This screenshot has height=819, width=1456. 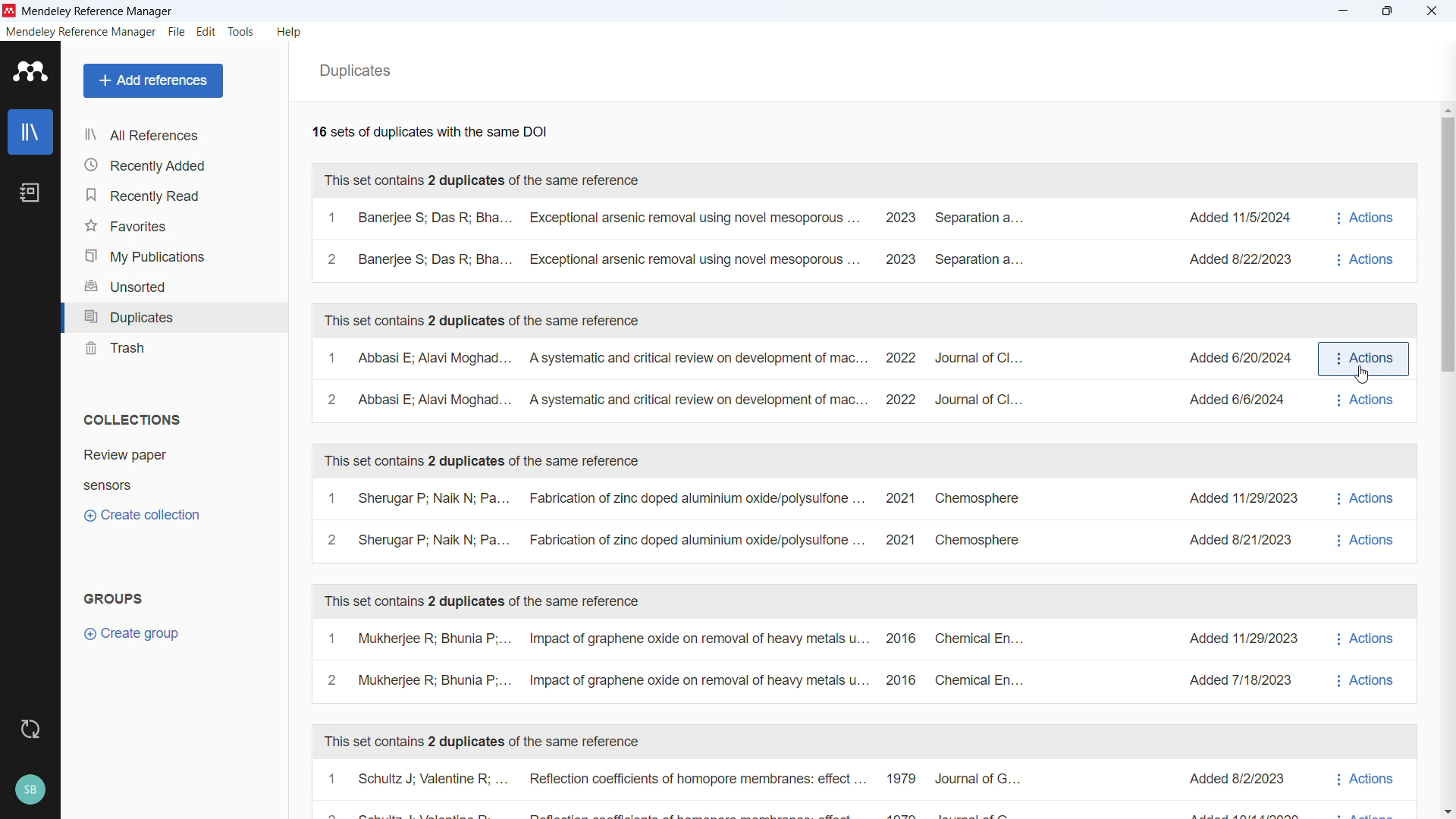 What do you see at coordinates (145, 516) in the screenshot?
I see `Create collection ` at bounding box center [145, 516].